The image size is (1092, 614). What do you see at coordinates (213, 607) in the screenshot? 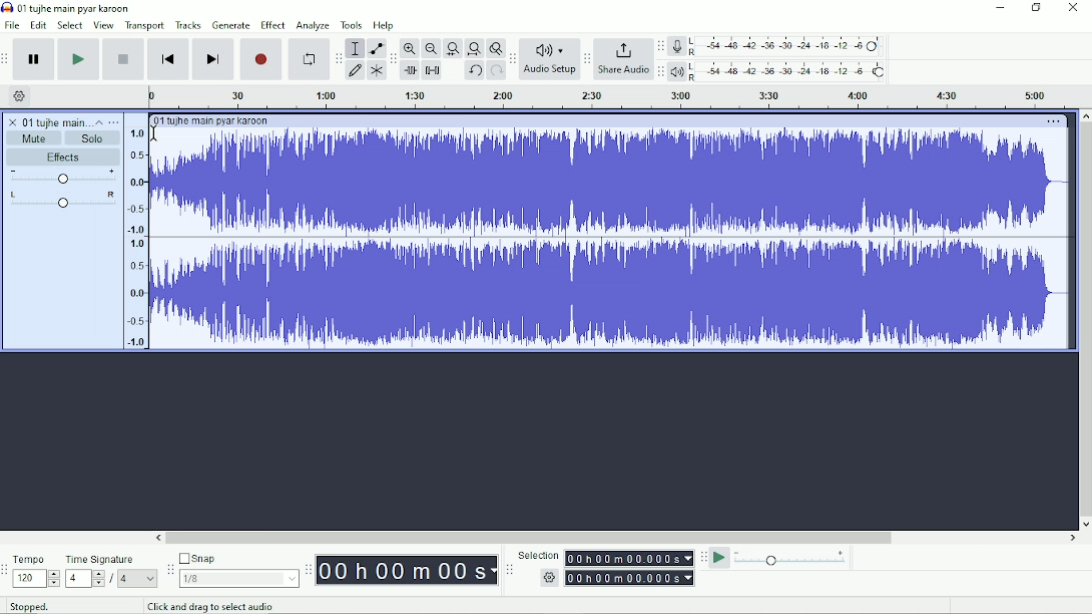
I see `Click and drag to select audio` at bounding box center [213, 607].